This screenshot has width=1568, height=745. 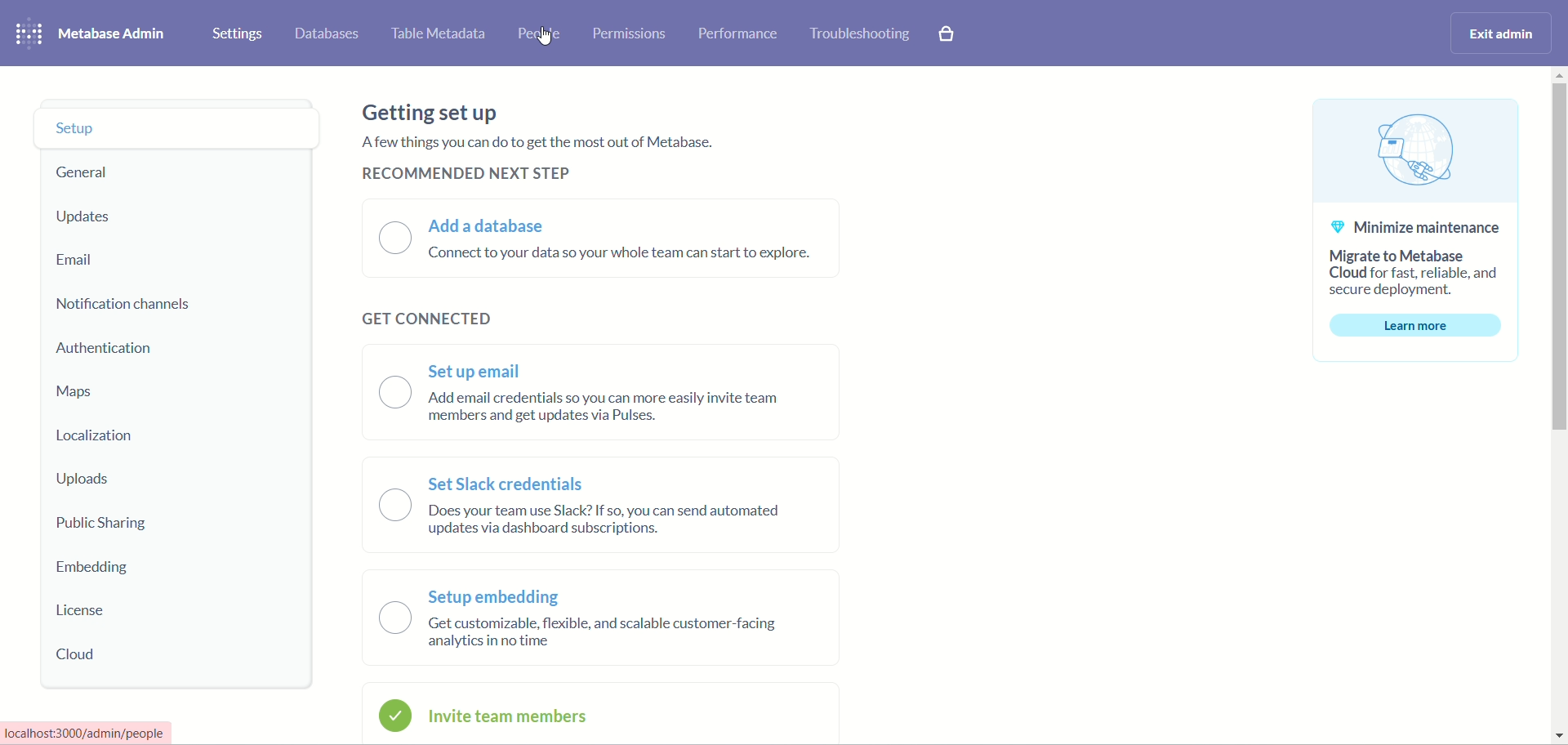 What do you see at coordinates (607, 525) in the screenshot?
I see `text` at bounding box center [607, 525].